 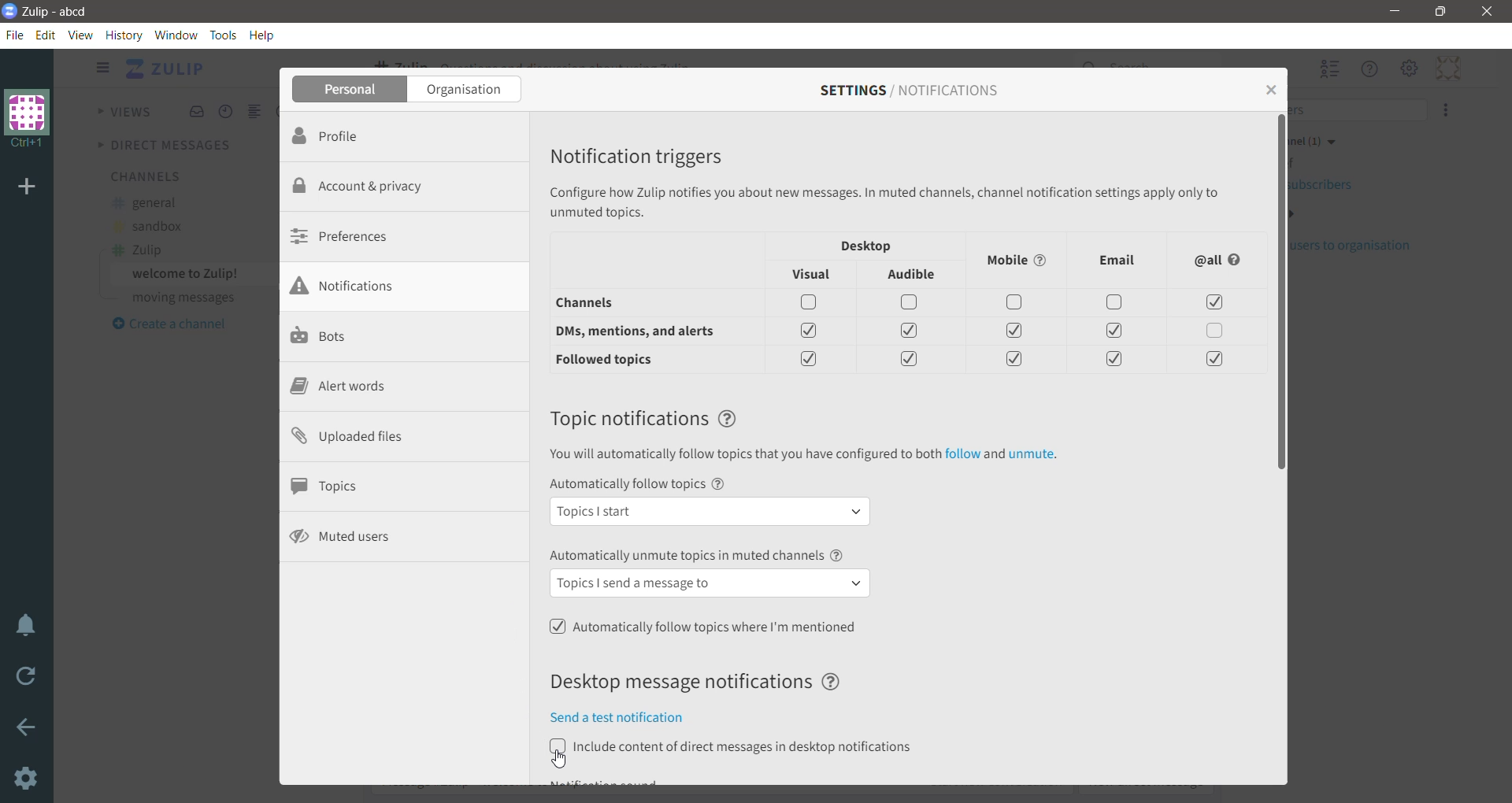 I want to click on check box, so click(x=810, y=357).